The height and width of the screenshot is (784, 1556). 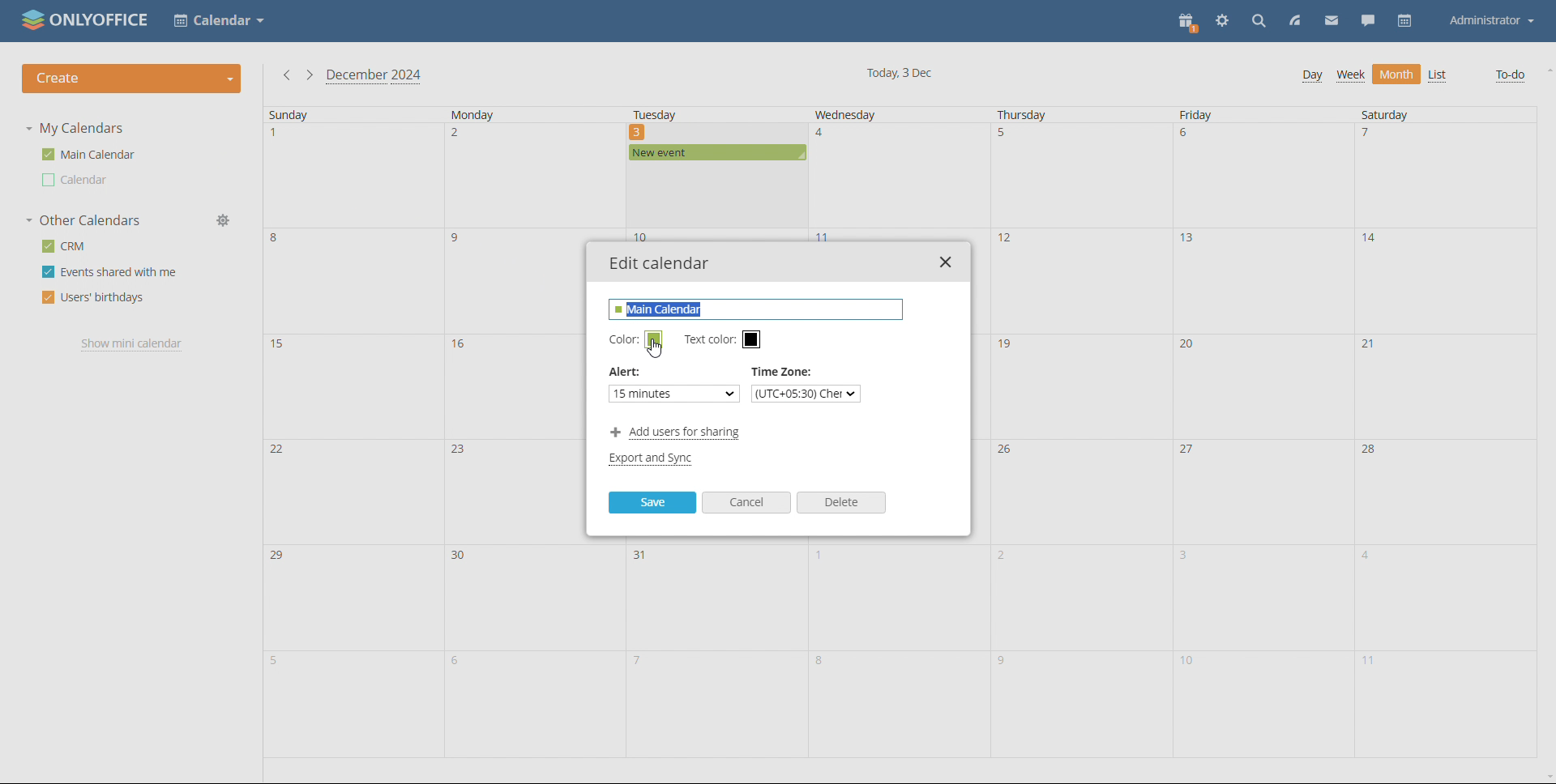 What do you see at coordinates (1409, 114) in the screenshot?
I see `Saturday` at bounding box center [1409, 114].